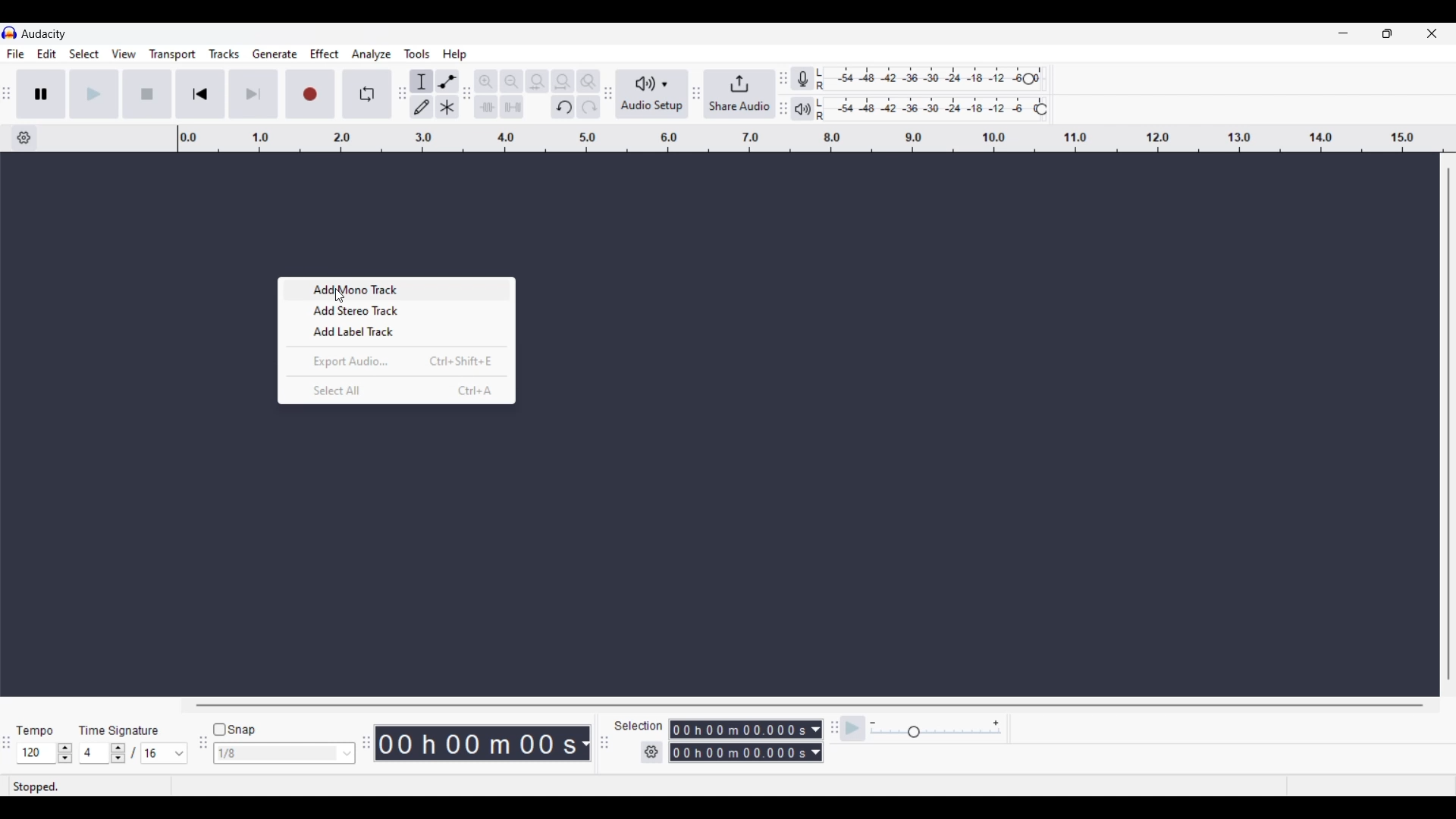  I want to click on Cursor, so click(338, 296).